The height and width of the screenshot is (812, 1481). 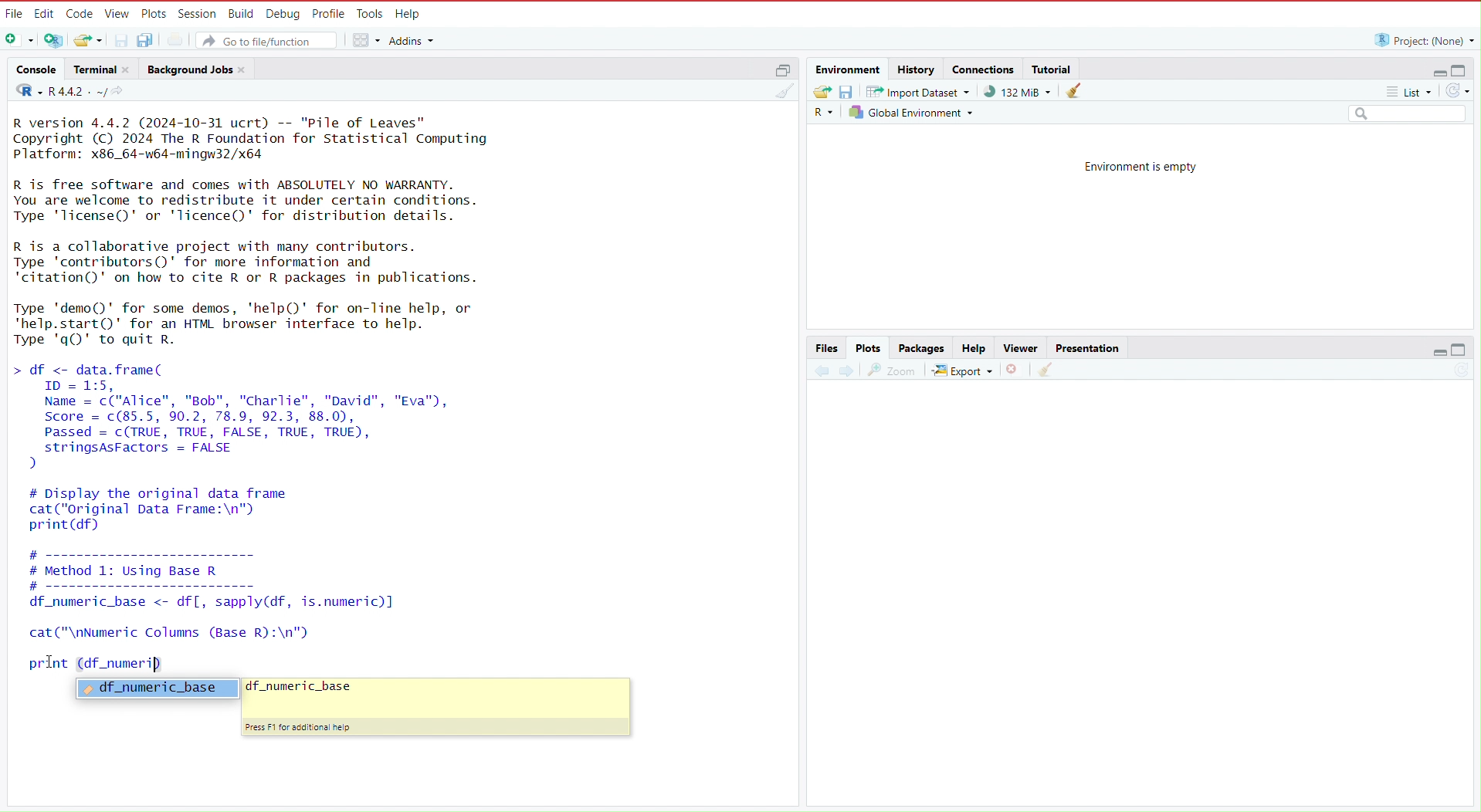 I want to click on Plots, so click(x=156, y=13).